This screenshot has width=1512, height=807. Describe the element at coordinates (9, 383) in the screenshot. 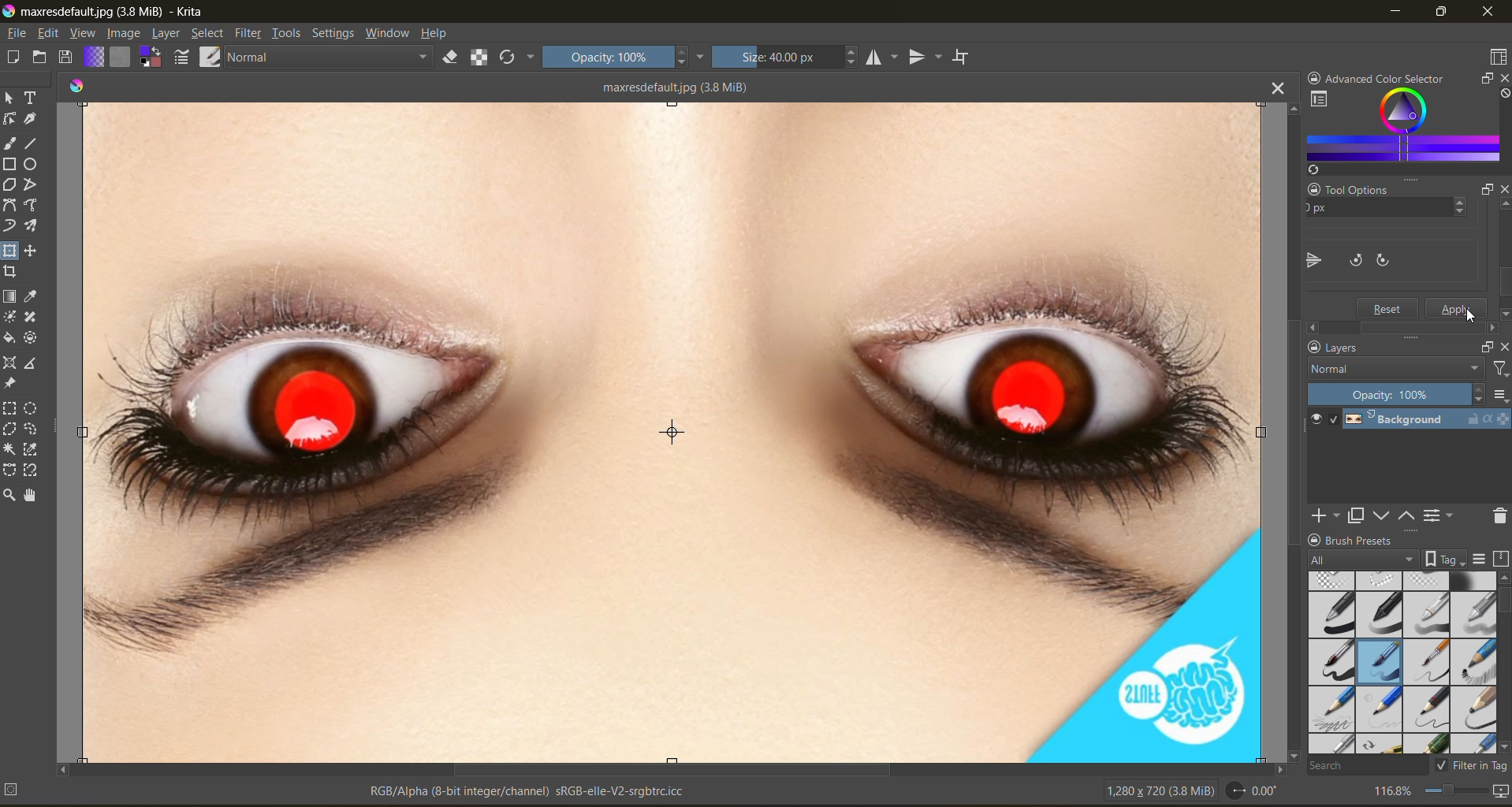

I see `tool` at that location.